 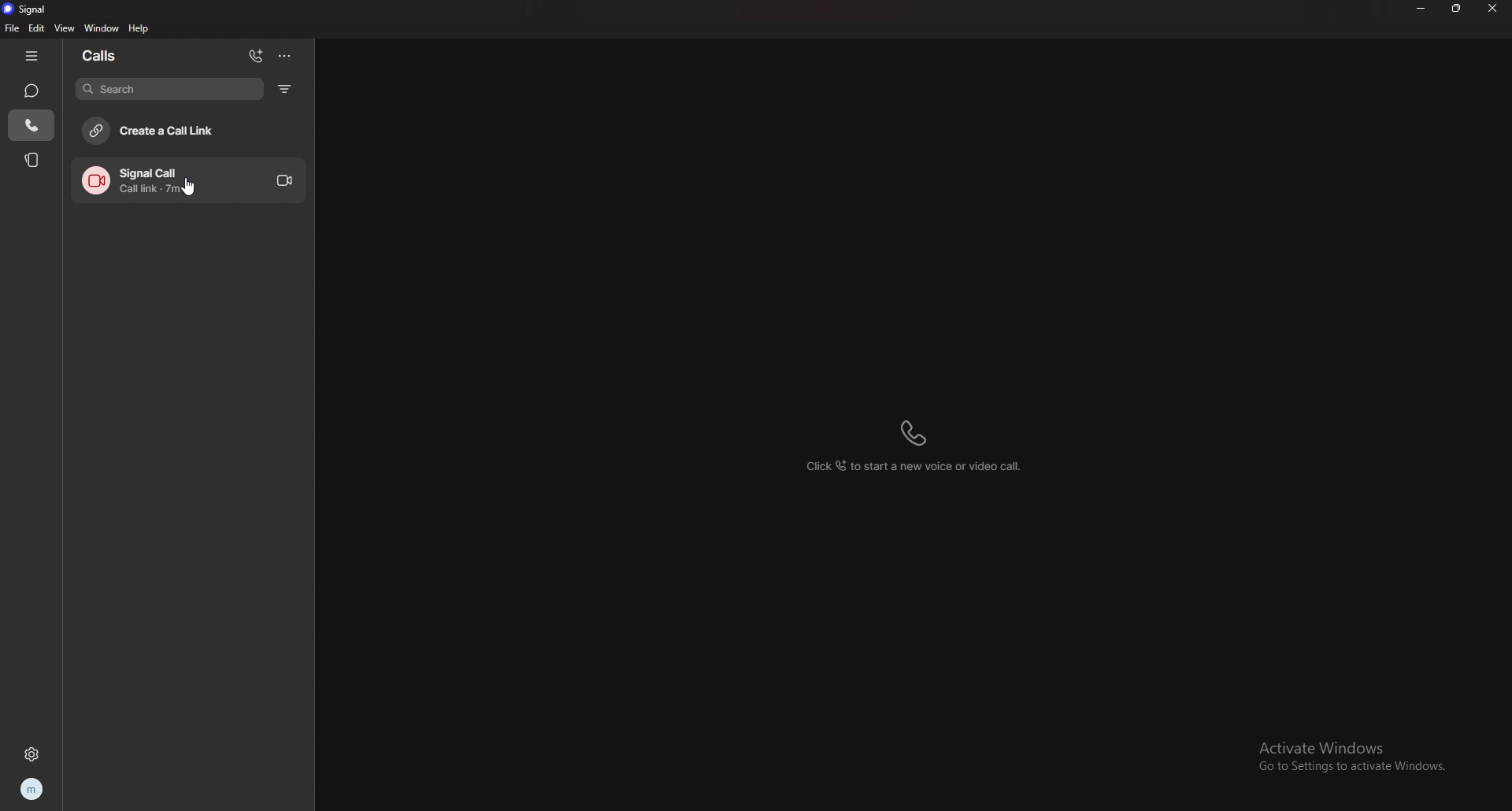 What do you see at coordinates (139, 30) in the screenshot?
I see `help` at bounding box center [139, 30].